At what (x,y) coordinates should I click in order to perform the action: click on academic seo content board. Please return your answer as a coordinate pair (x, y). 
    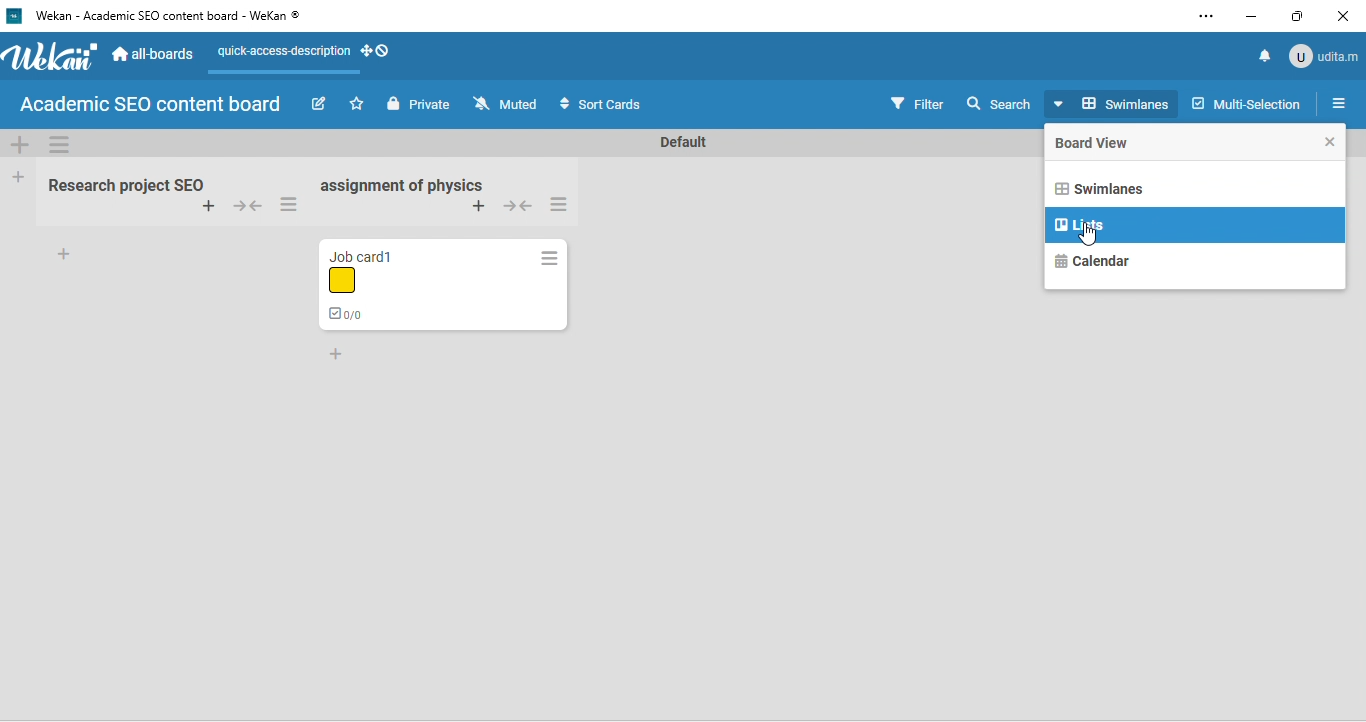
    Looking at the image, I should click on (154, 105).